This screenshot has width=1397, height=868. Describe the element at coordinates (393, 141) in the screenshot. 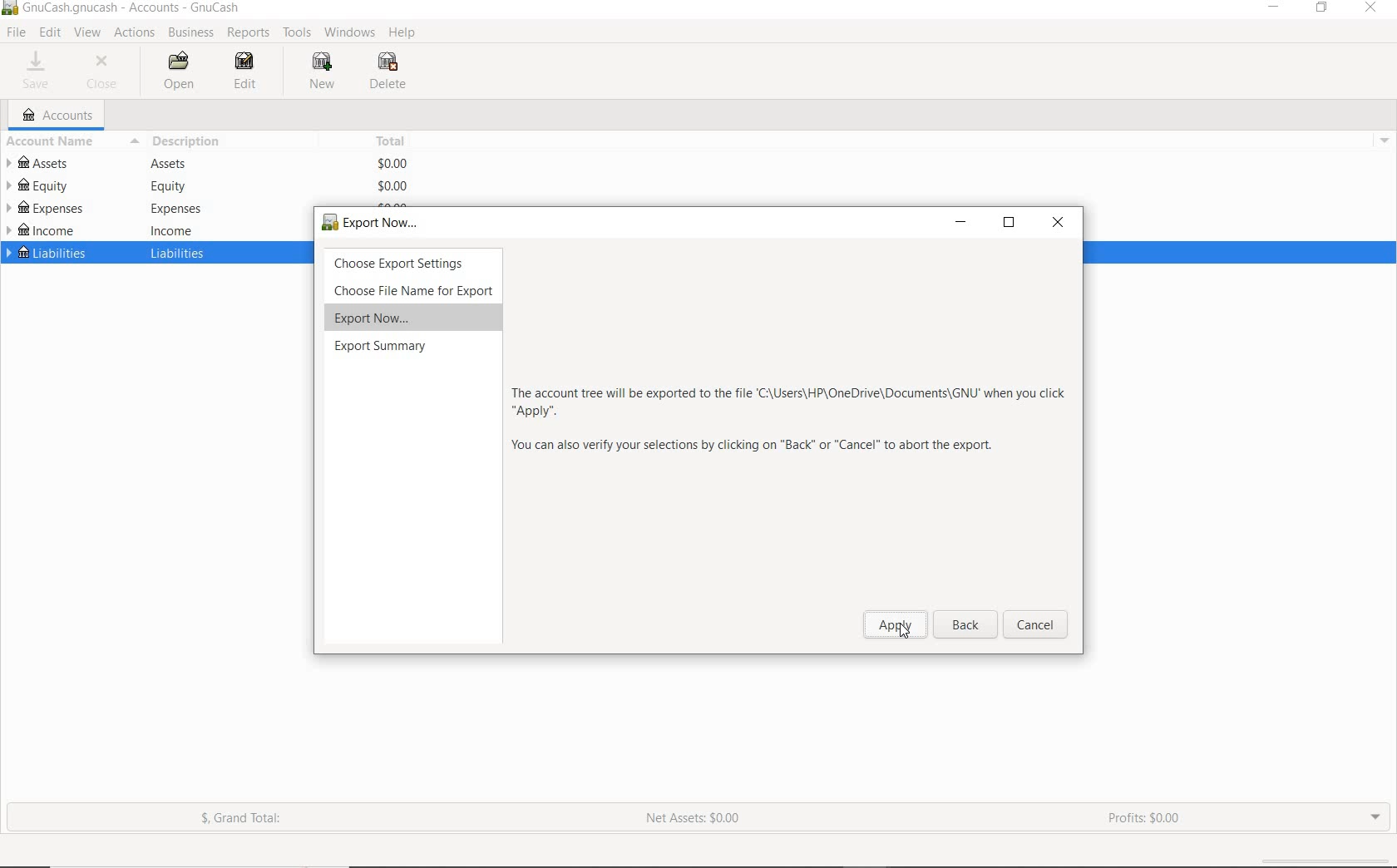

I see `TOTAL` at that location.